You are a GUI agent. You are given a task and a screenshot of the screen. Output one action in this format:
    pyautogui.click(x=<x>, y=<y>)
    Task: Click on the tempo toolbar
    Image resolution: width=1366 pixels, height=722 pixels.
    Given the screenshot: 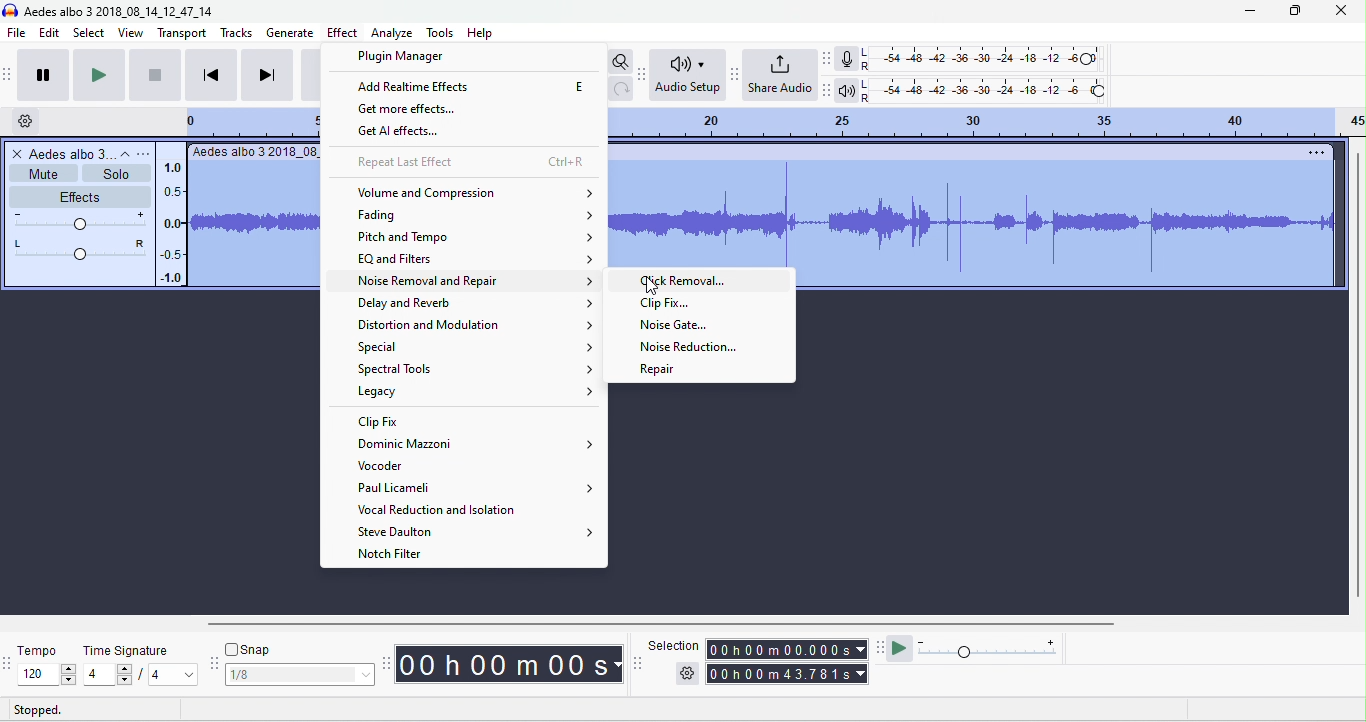 What is the action you would take?
    pyautogui.click(x=9, y=662)
    